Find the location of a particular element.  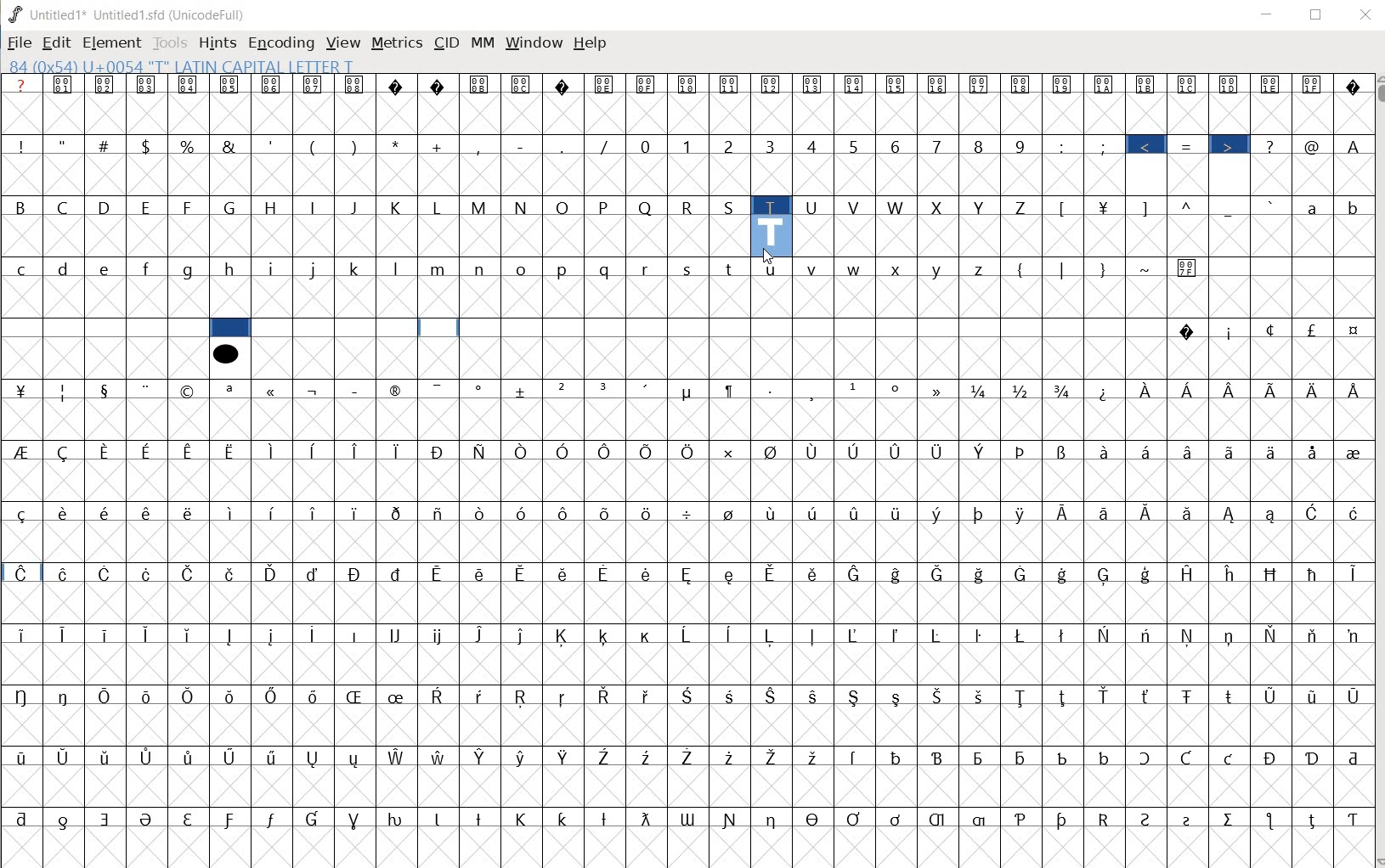

. is located at coordinates (564, 147).